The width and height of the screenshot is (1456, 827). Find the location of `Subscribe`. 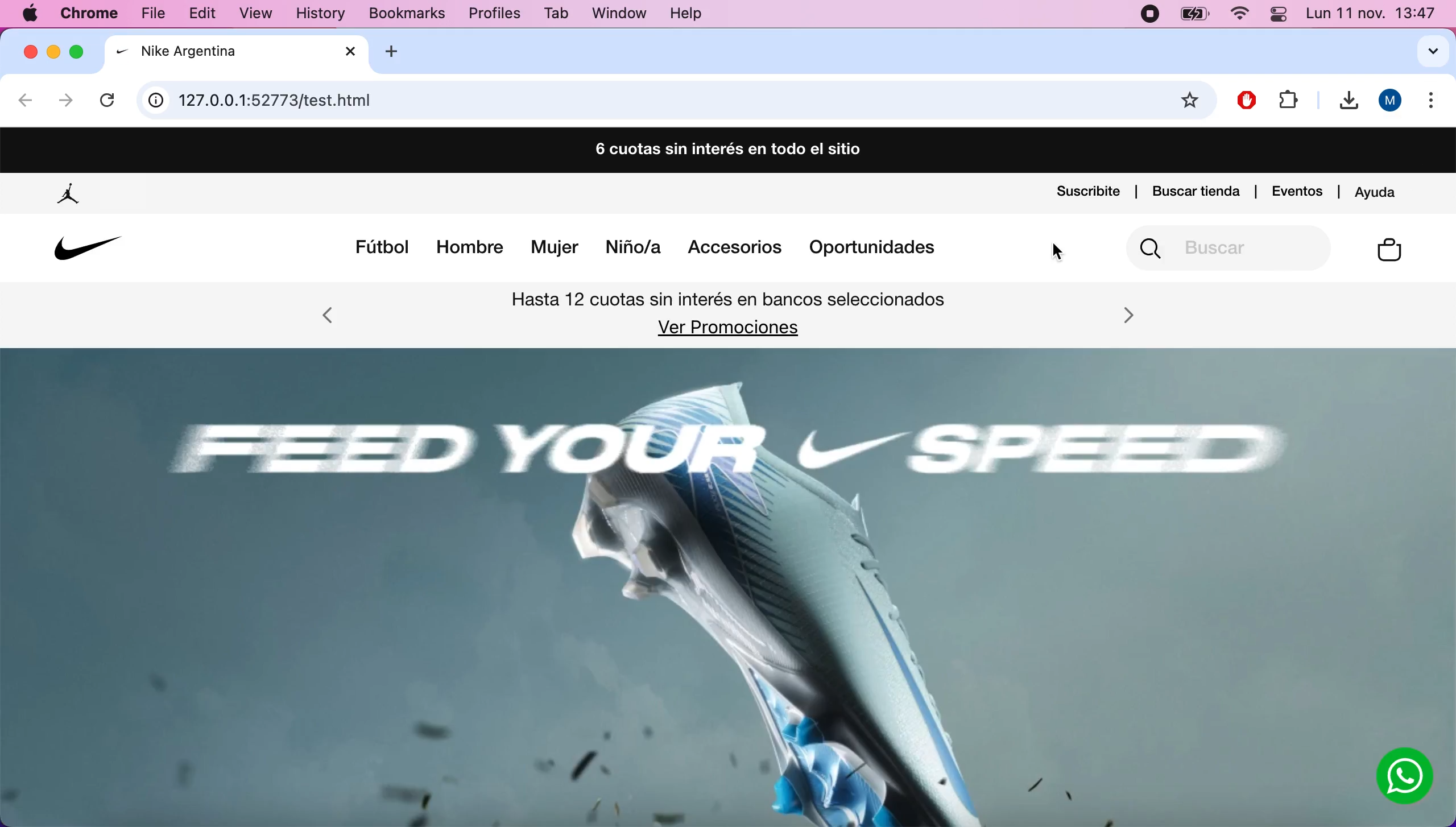

Subscribe is located at coordinates (1088, 193).